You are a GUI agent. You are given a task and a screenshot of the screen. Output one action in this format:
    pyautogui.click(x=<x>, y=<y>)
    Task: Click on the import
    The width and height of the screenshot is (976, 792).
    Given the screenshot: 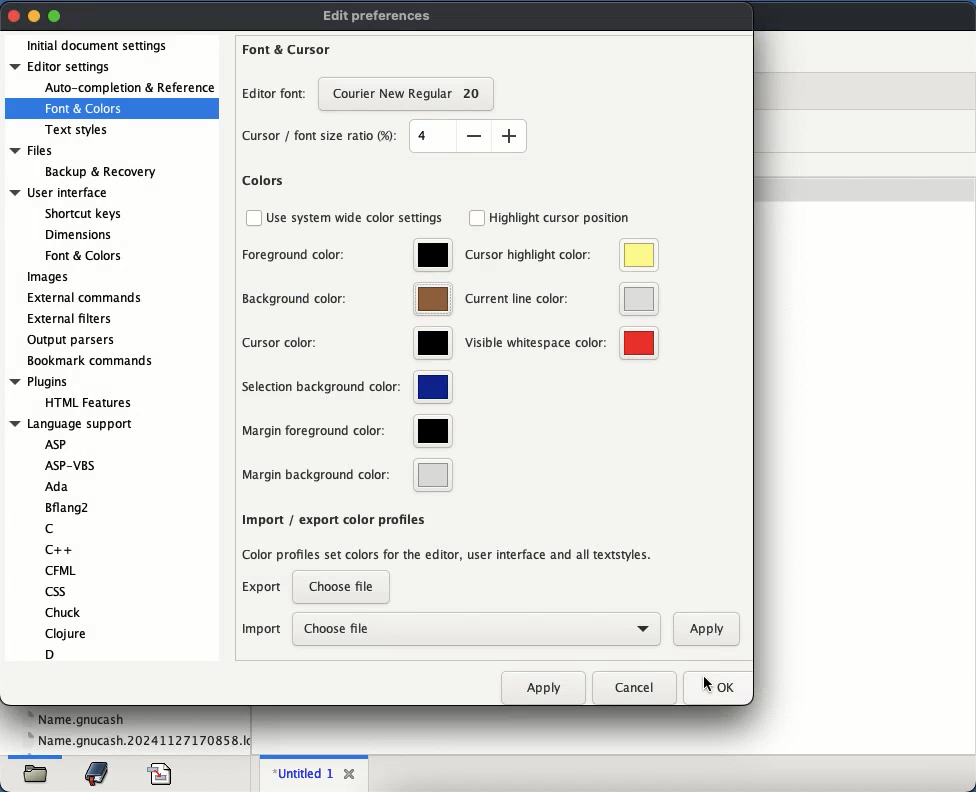 What is the action you would take?
    pyautogui.click(x=261, y=630)
    